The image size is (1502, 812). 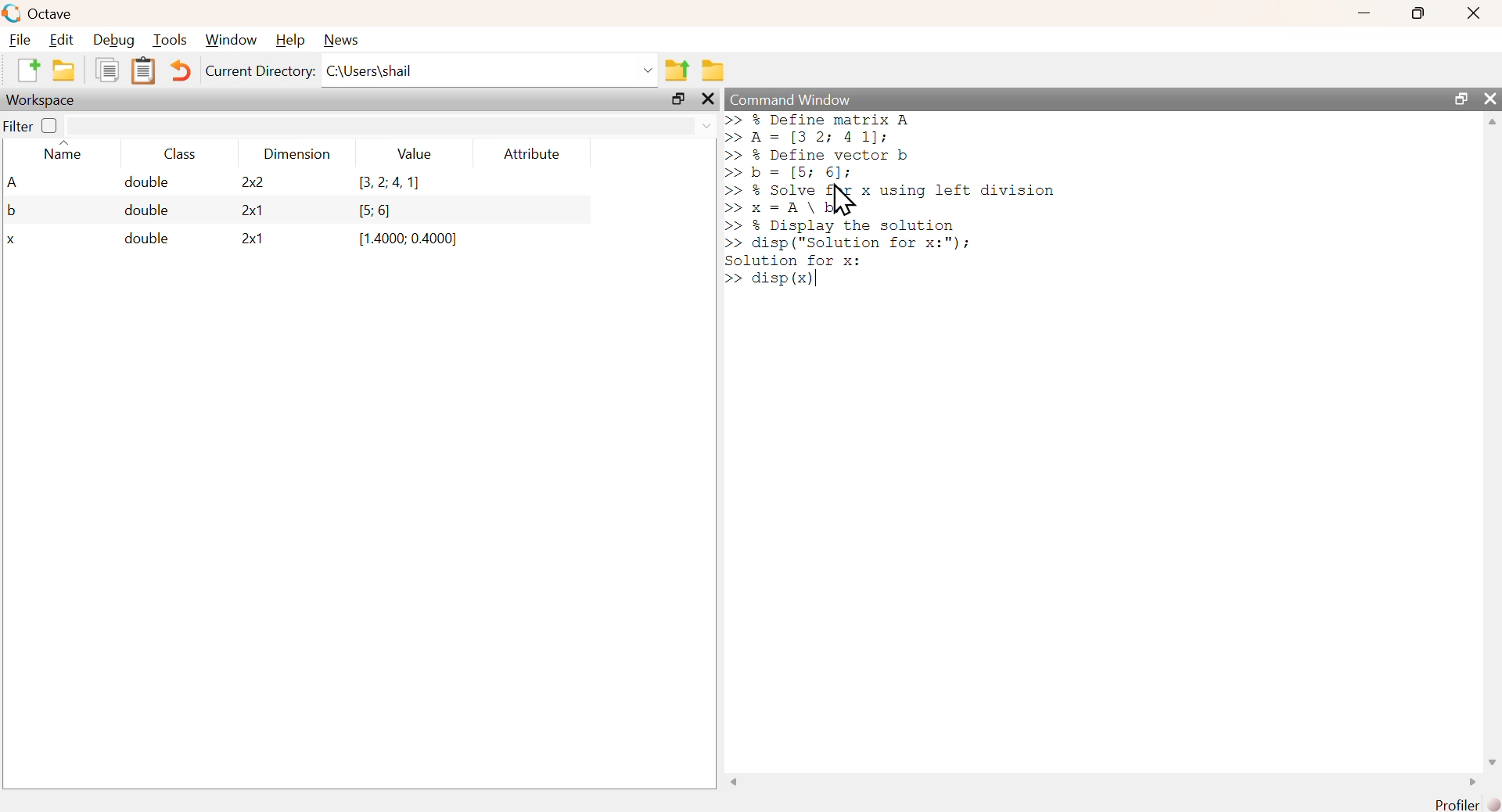 I want to click on octave, so click(x=40, y=13).